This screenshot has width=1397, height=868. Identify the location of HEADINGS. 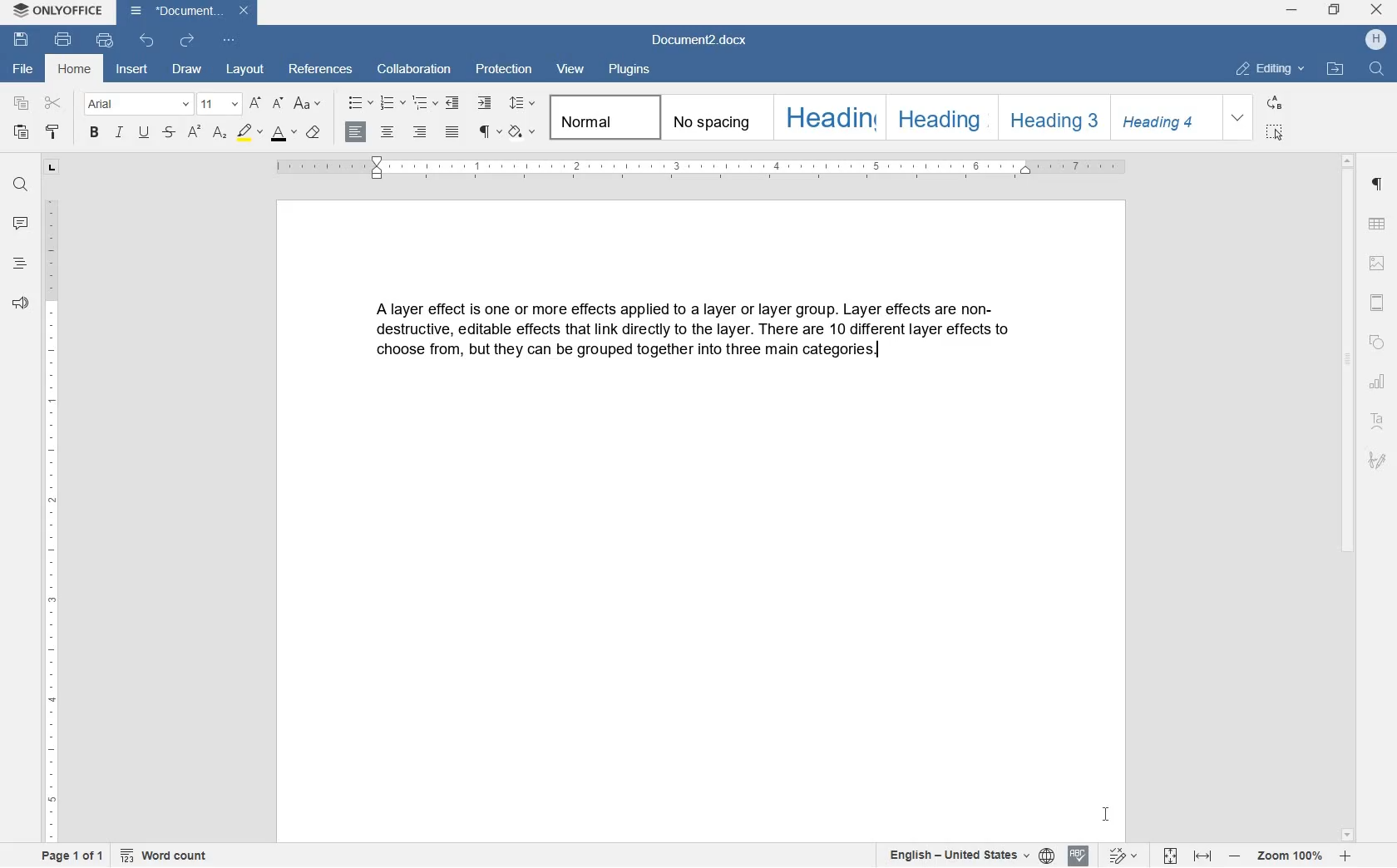
(17, 264).